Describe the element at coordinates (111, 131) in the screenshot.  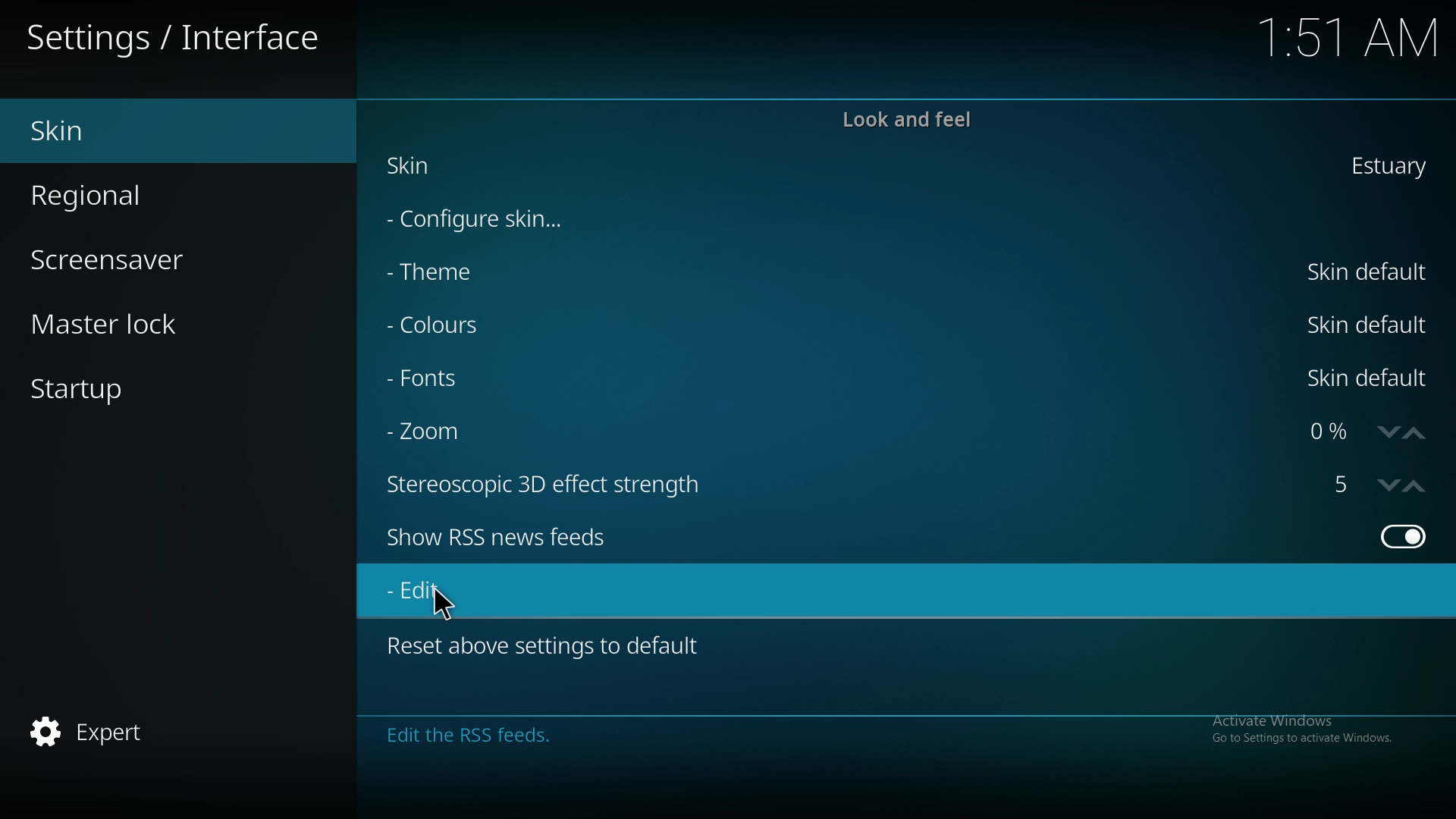
I see `skin` at that location.